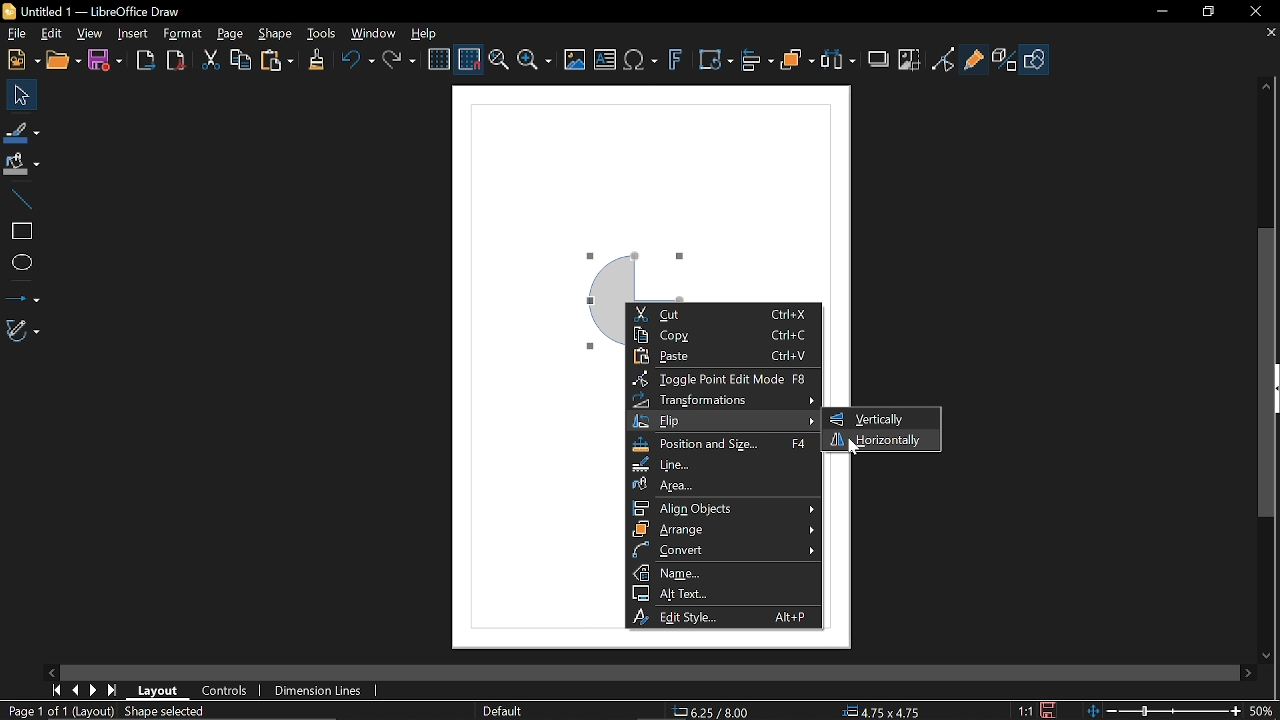 The height and width of the screenshot is (720, 1280). Describe the element at coordinates (715, 712) in the screenshot. I see `6.25/8.00(cursor position)` at that location.